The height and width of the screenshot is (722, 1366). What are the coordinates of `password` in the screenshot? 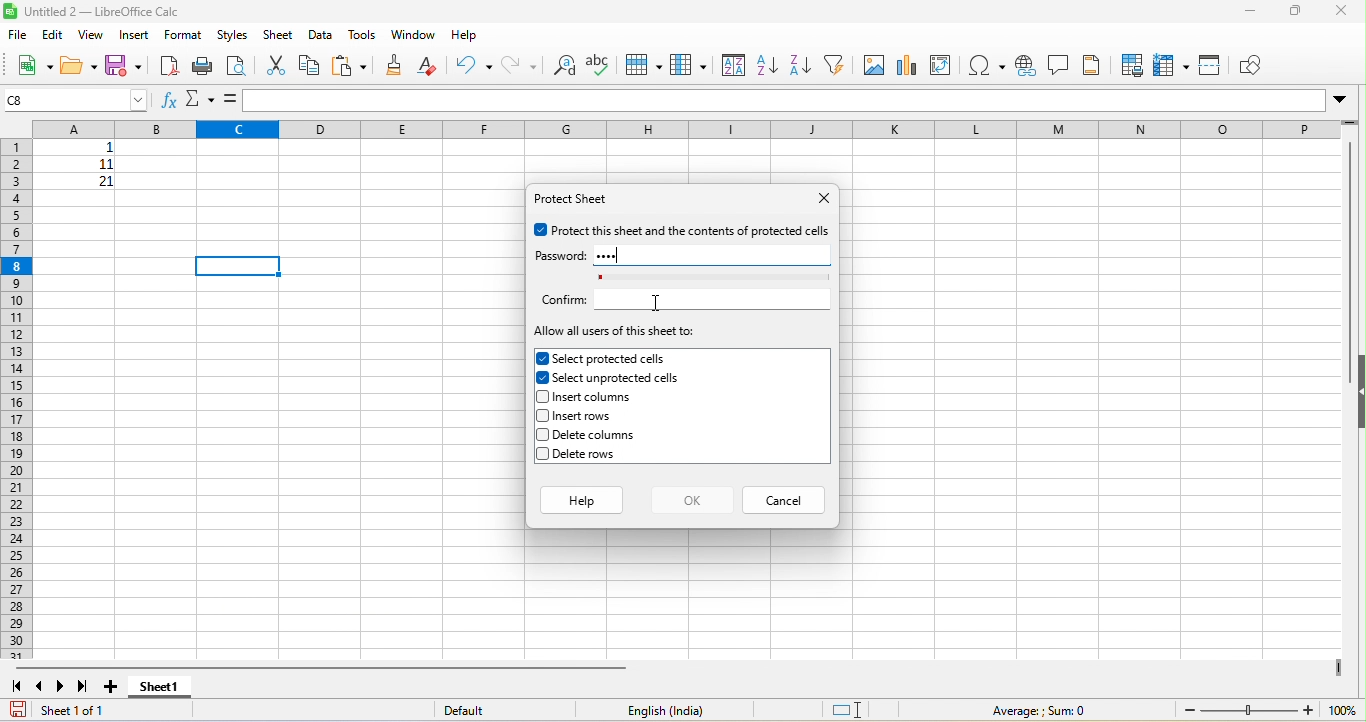 It's located at (561, 256).